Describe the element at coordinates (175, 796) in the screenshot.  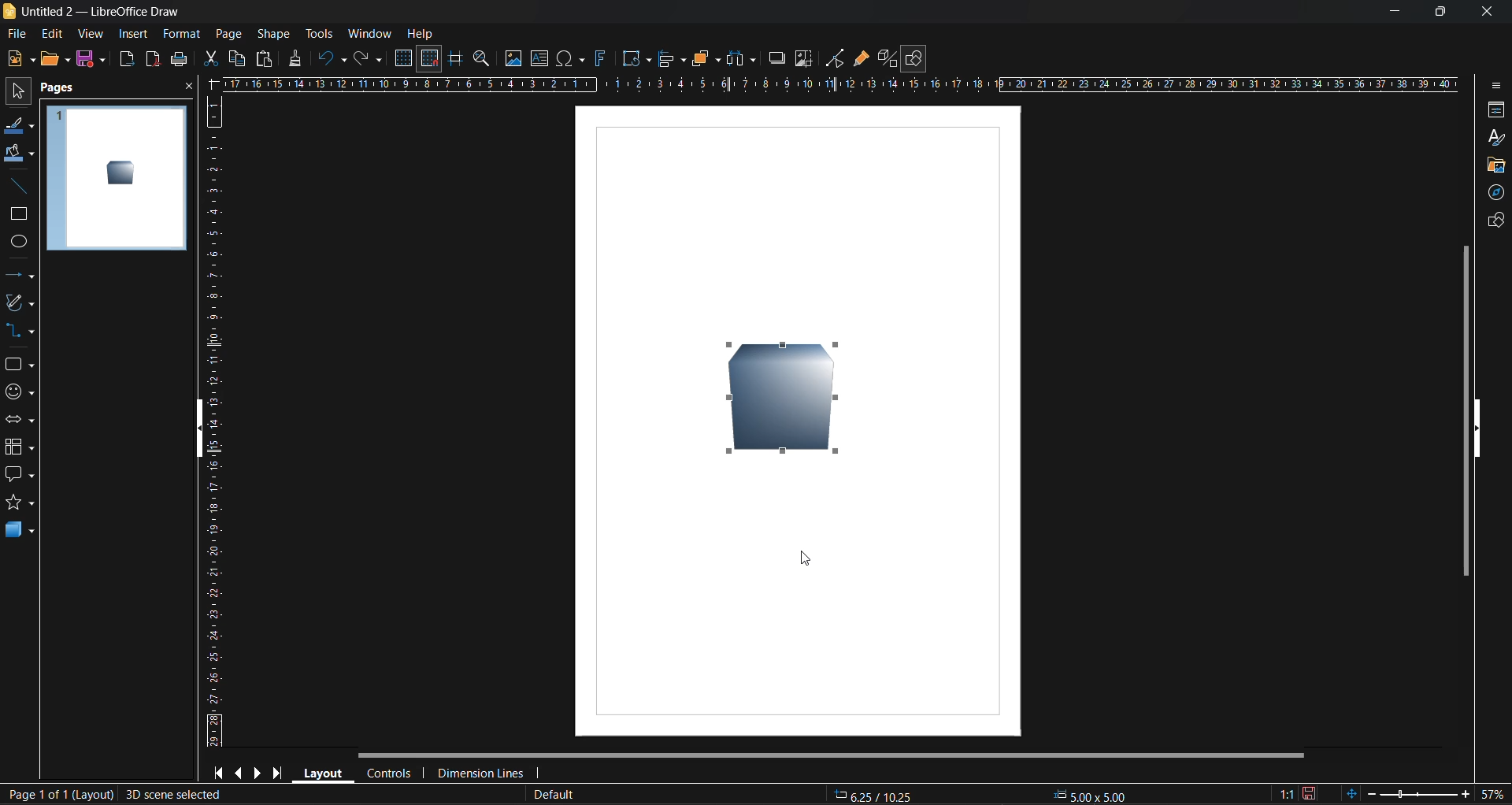
I see `create 3d scene` at that location.